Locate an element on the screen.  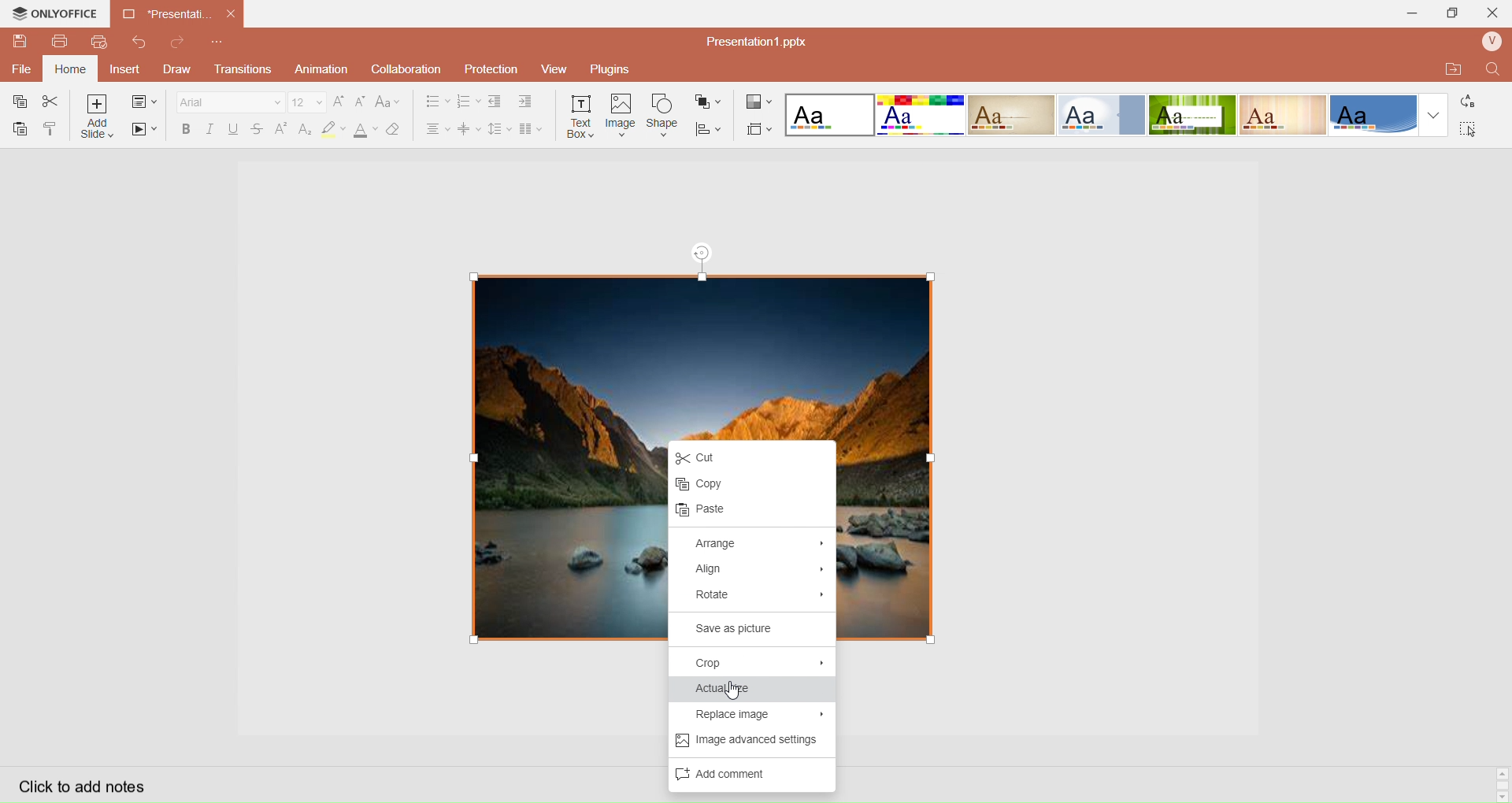
Redo is located at coordinates (177, 43).